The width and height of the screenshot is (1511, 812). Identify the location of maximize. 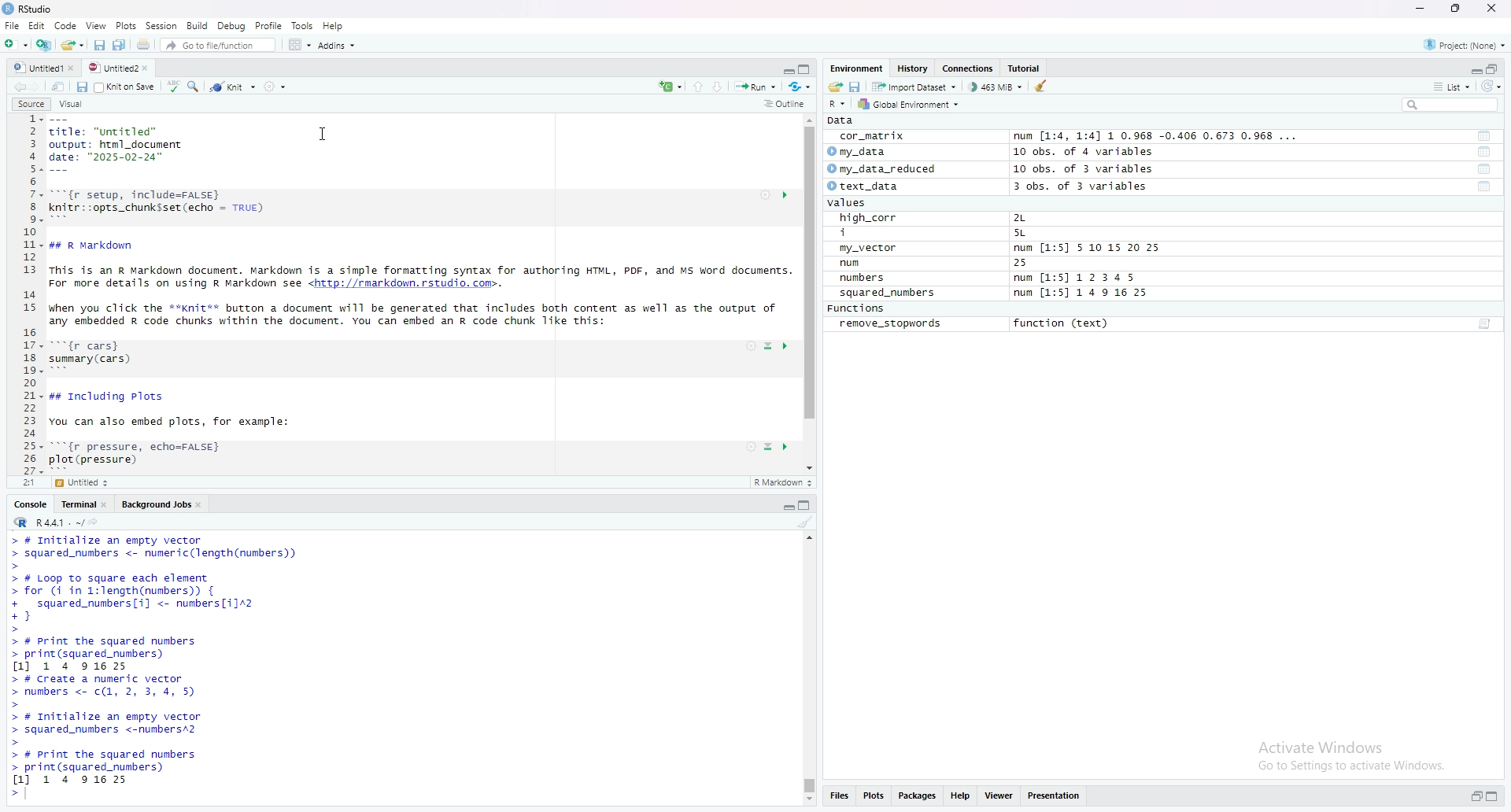
(804, 506).